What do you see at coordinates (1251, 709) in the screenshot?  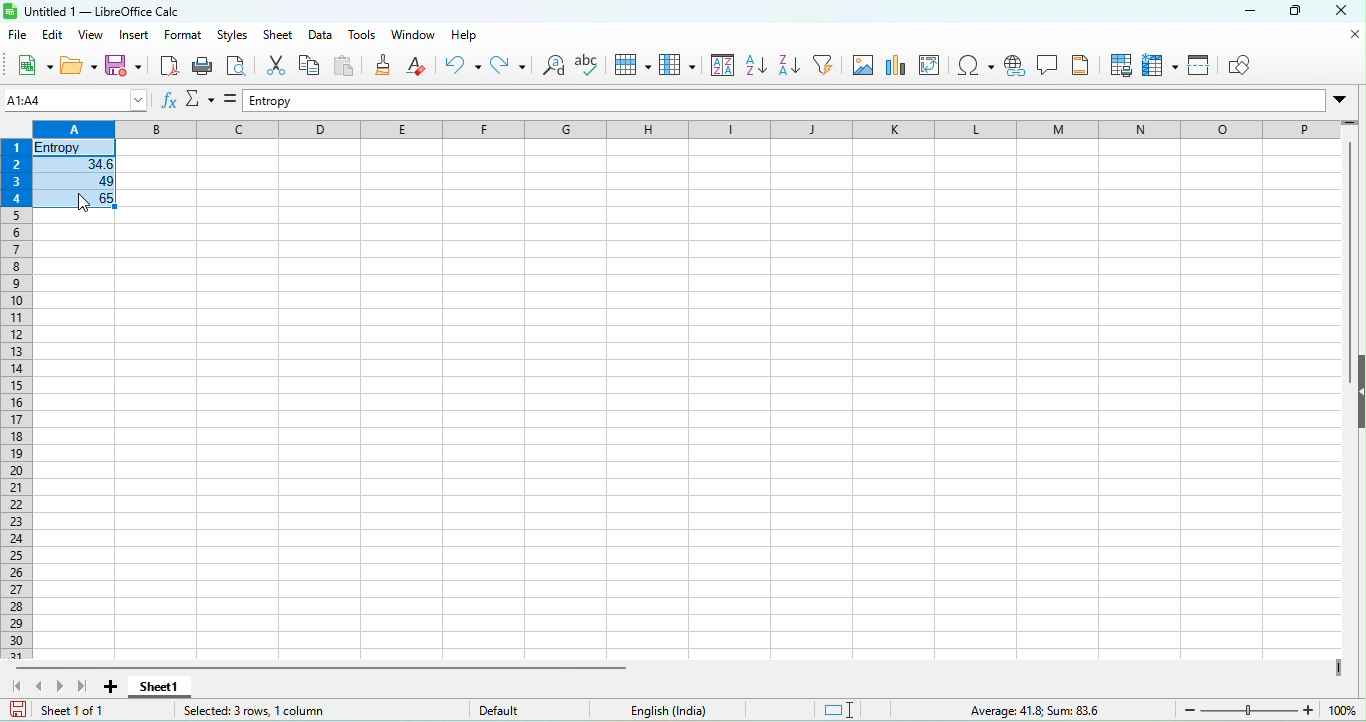 I see `zoom slider` at bounding box center [1251, 709].